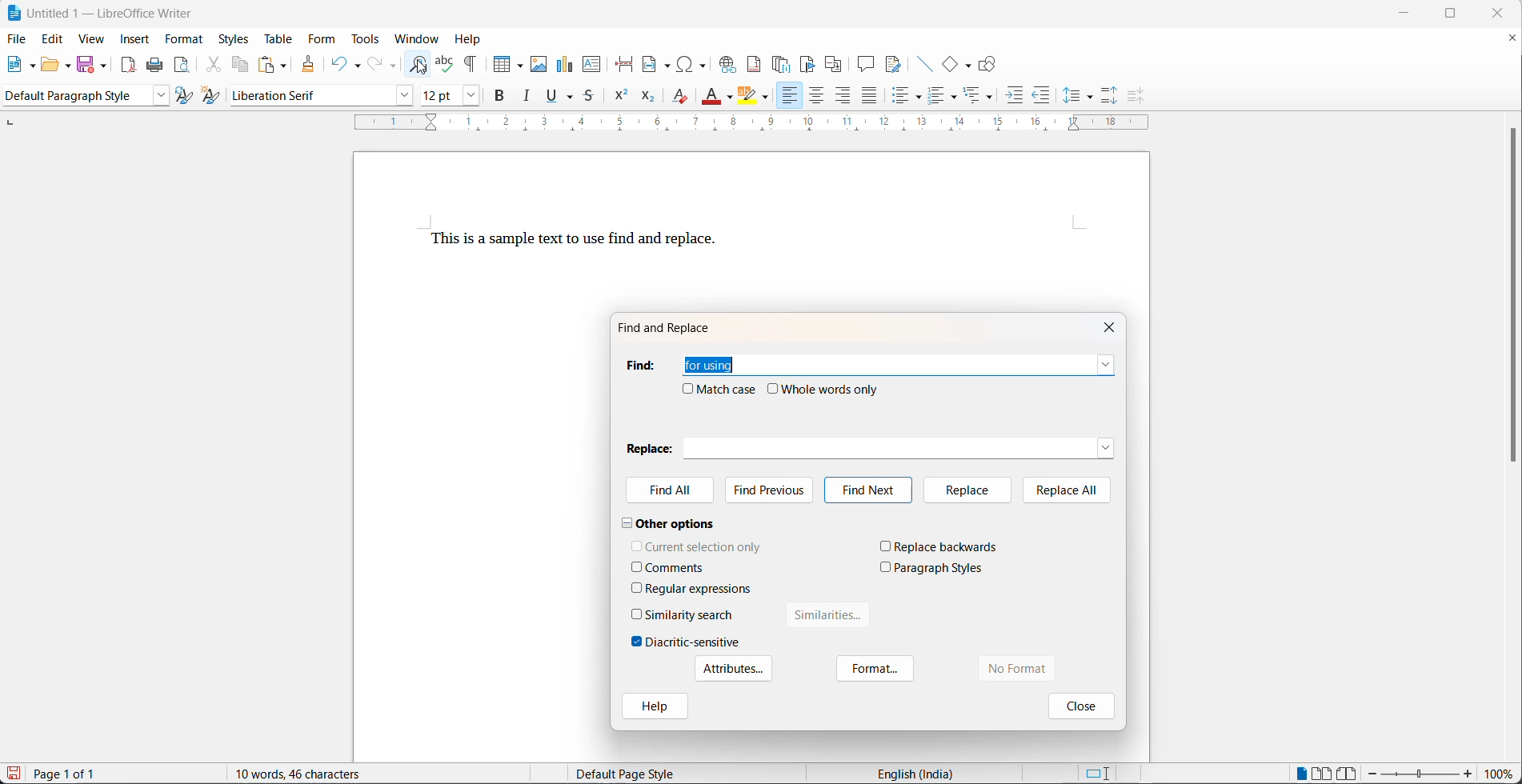  I want to click on clear direct formatting, so click(679, 99).